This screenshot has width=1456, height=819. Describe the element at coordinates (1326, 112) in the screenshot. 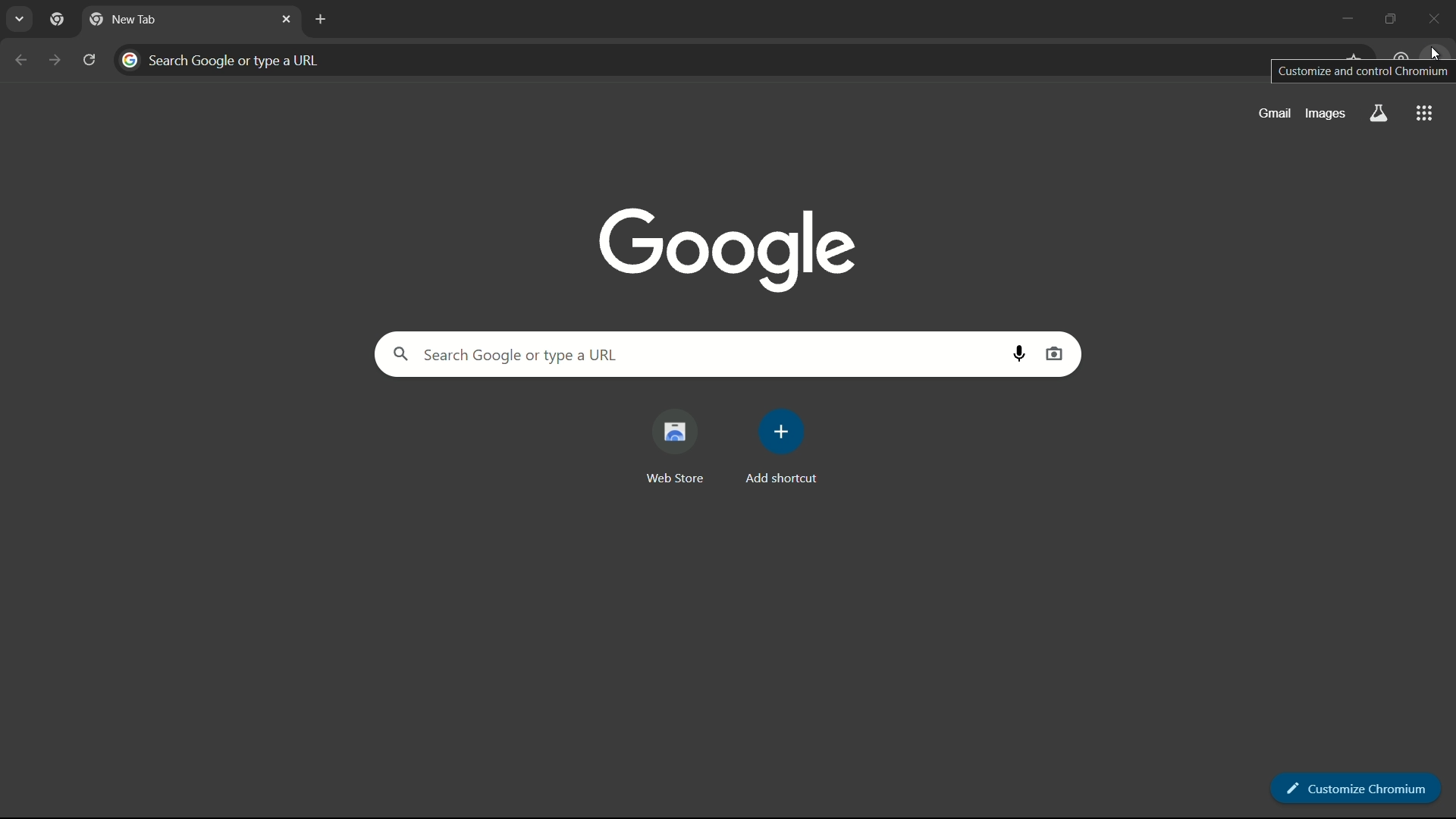

I see `images` at that location.